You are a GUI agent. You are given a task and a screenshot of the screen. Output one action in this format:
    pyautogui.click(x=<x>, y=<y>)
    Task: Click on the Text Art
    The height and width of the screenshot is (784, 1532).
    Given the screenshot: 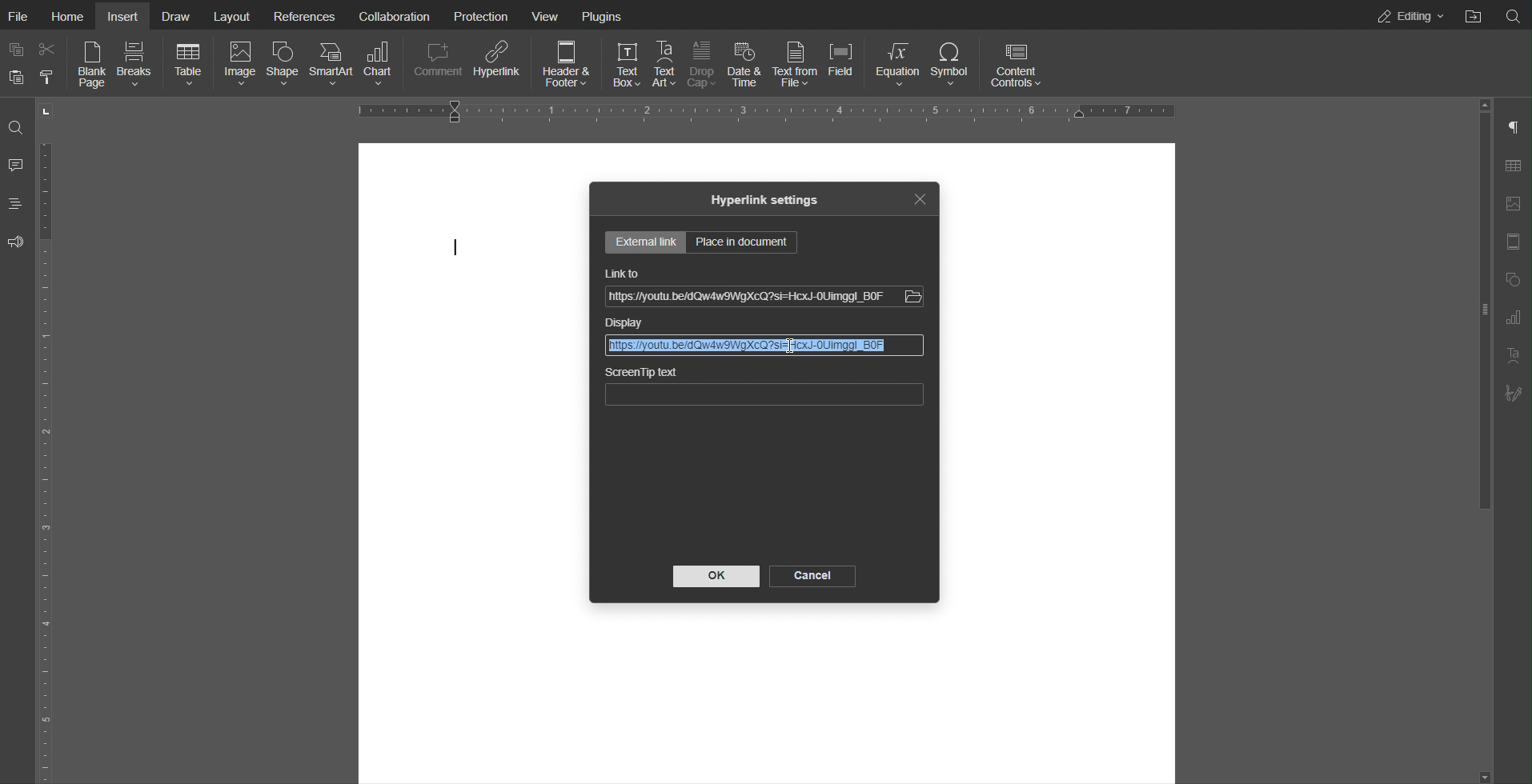 What is the action you would take?
    pyautogui.click(x=666, y=65)
    